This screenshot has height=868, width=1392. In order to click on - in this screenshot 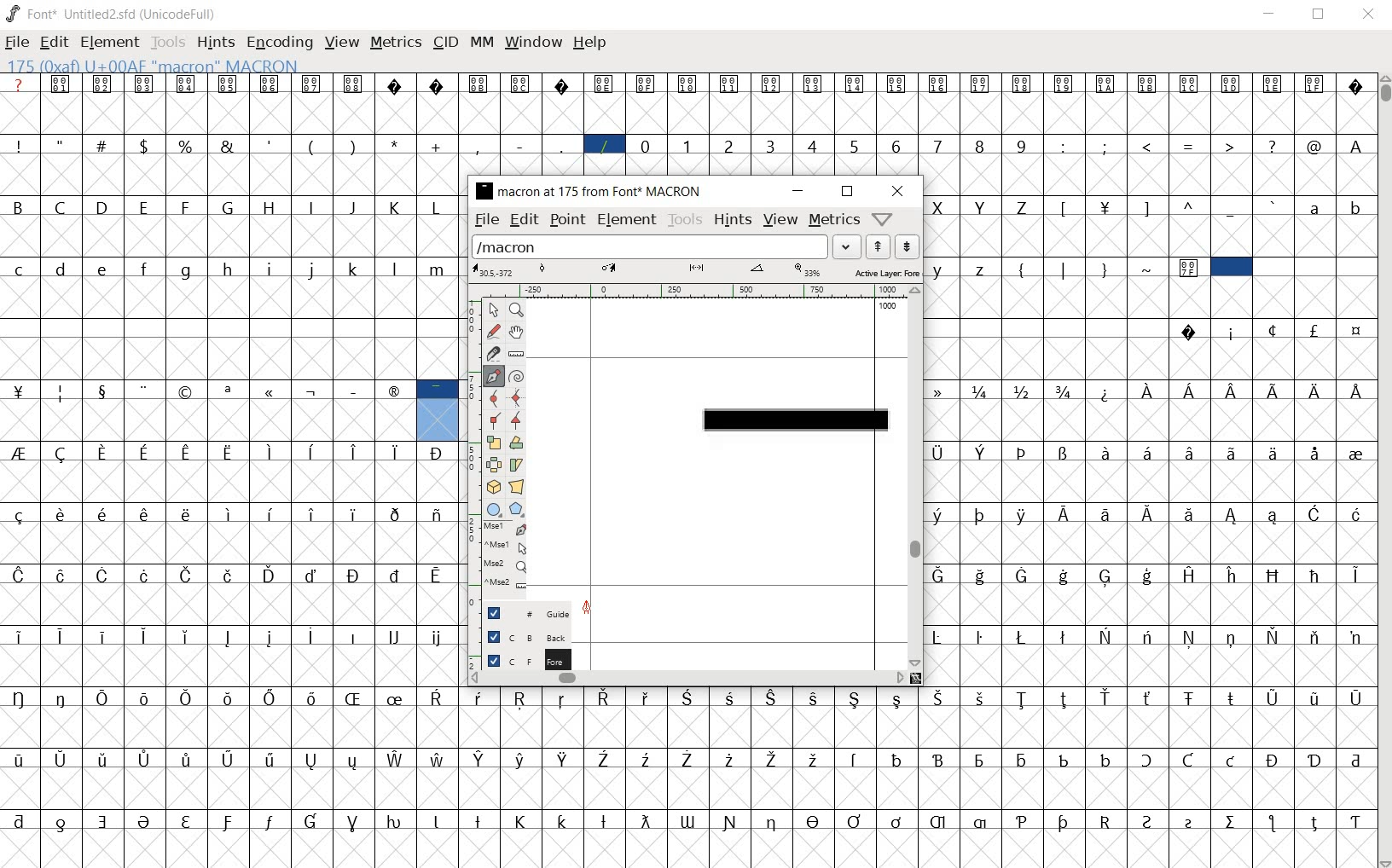, I will do `click(519, 145)`.